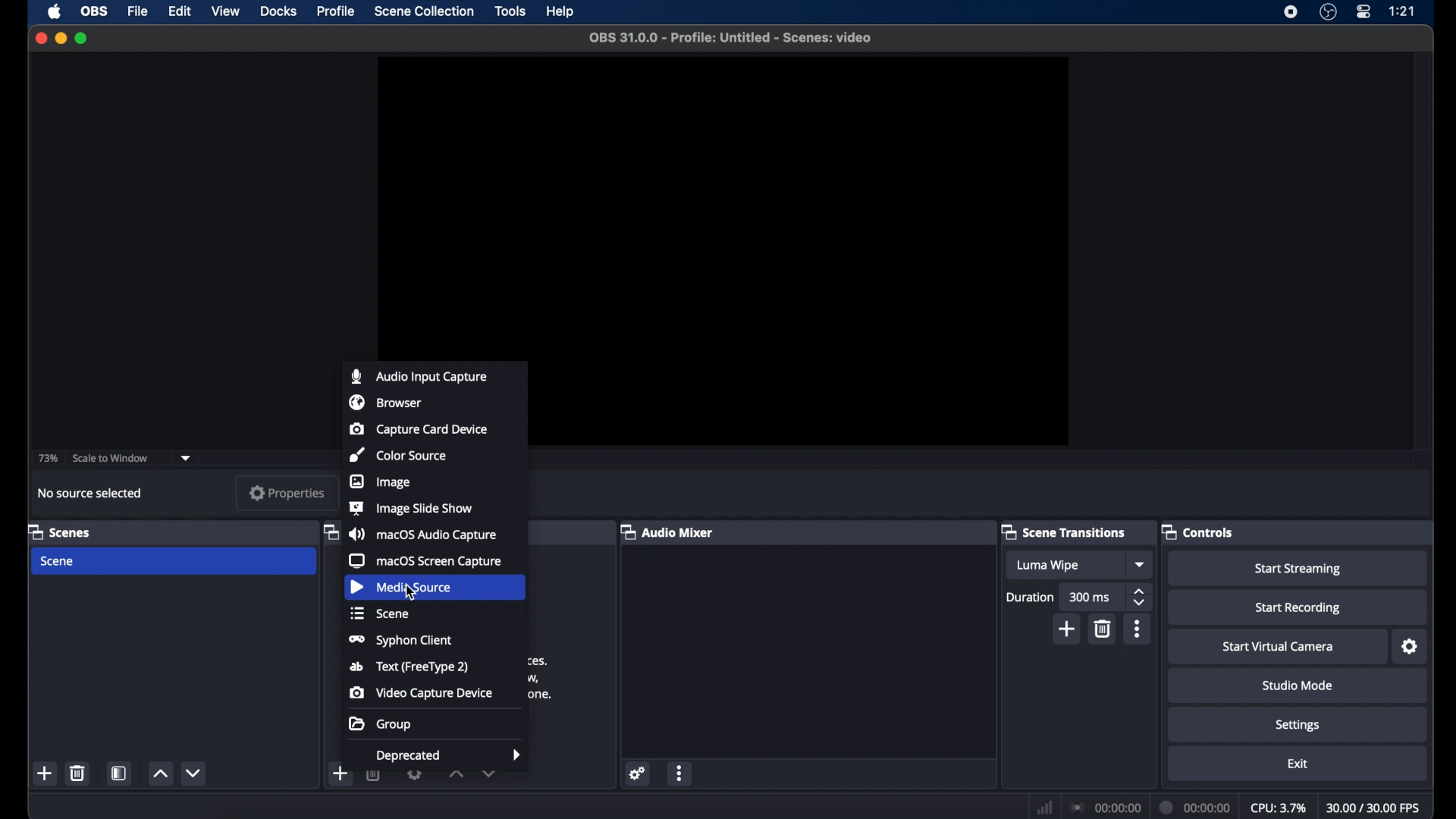 This screenshot has width=1456, height=819. What do you see at coordinates (54, 11) in the screenshot?
I see `apple icon` at bounding box center [54, 11].